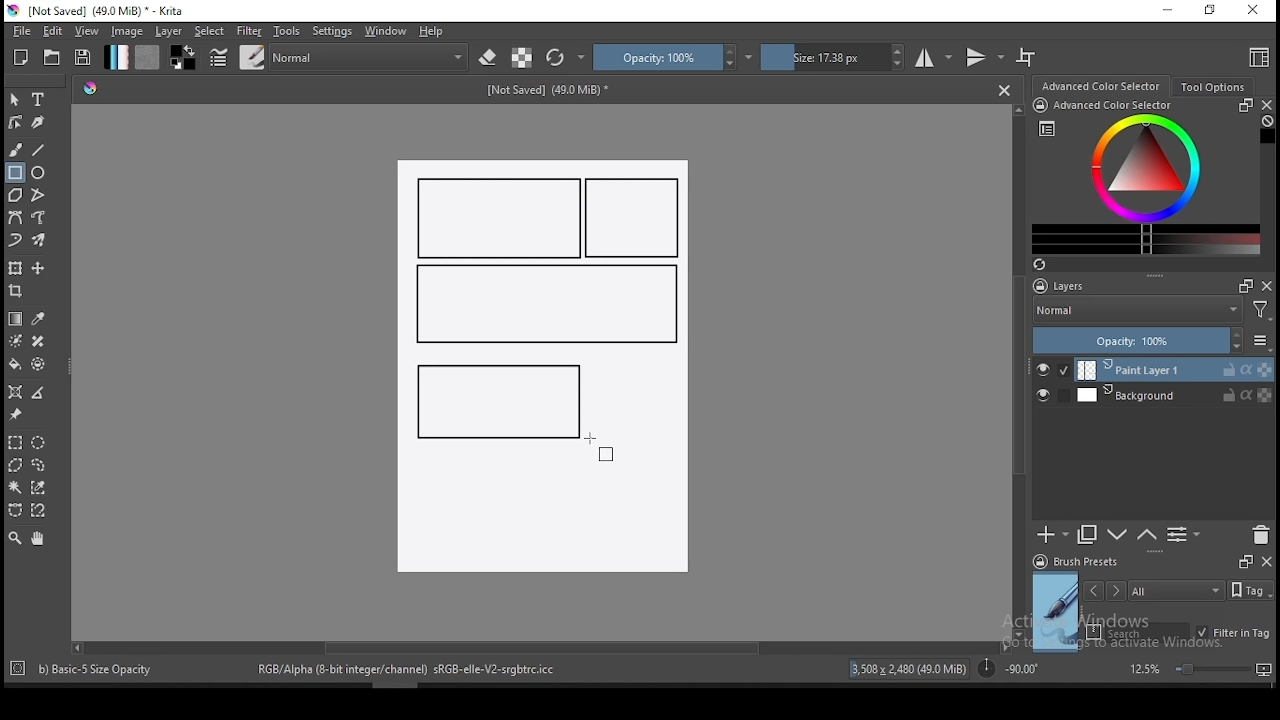 The image size is (1280, 720). What do you see at coordinates (14, 415) in the screenshot?
I see `reference images tool` at bounding box center [14, 415].